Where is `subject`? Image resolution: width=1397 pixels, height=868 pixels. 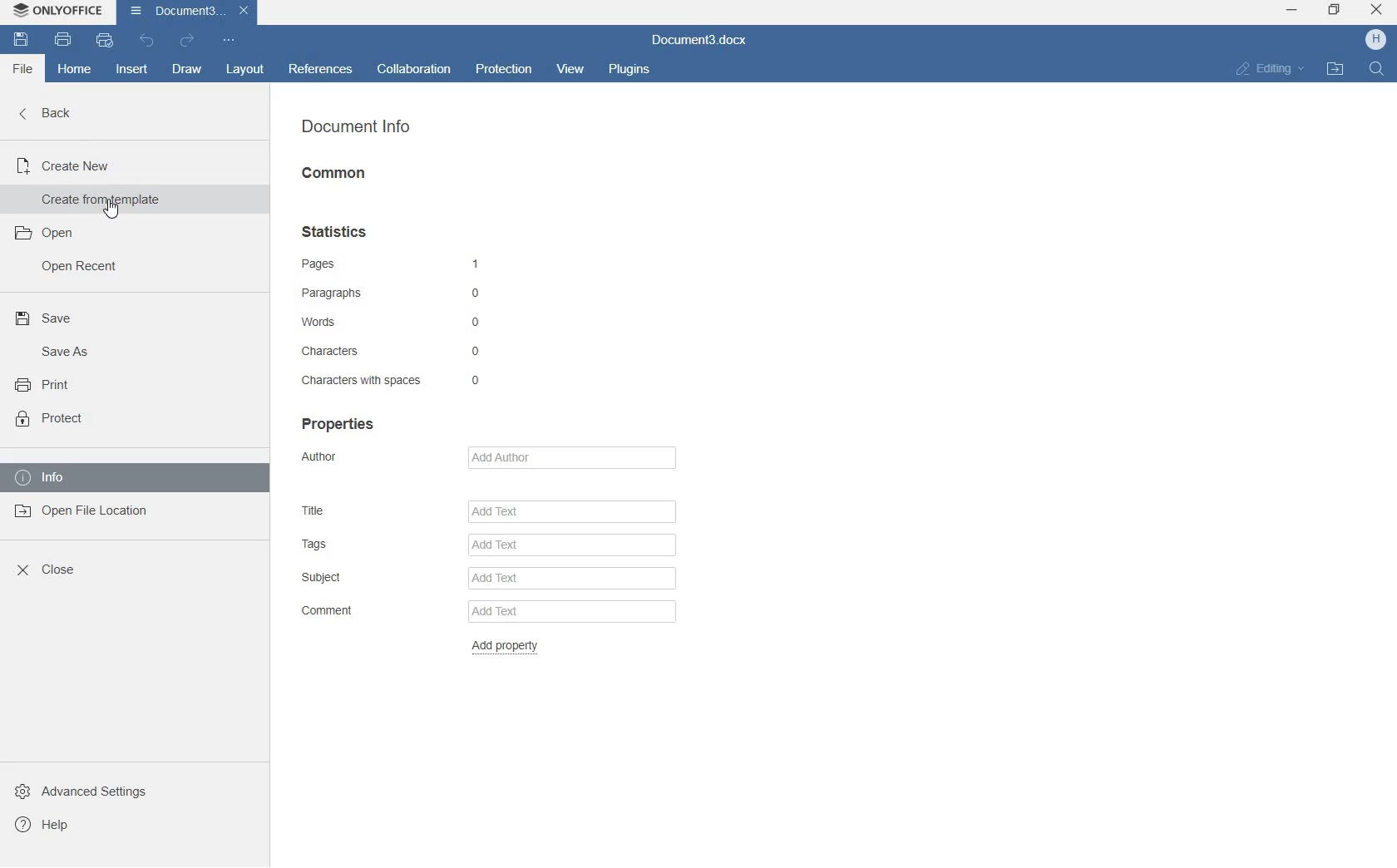
subject is located at coordinates (338, 578).